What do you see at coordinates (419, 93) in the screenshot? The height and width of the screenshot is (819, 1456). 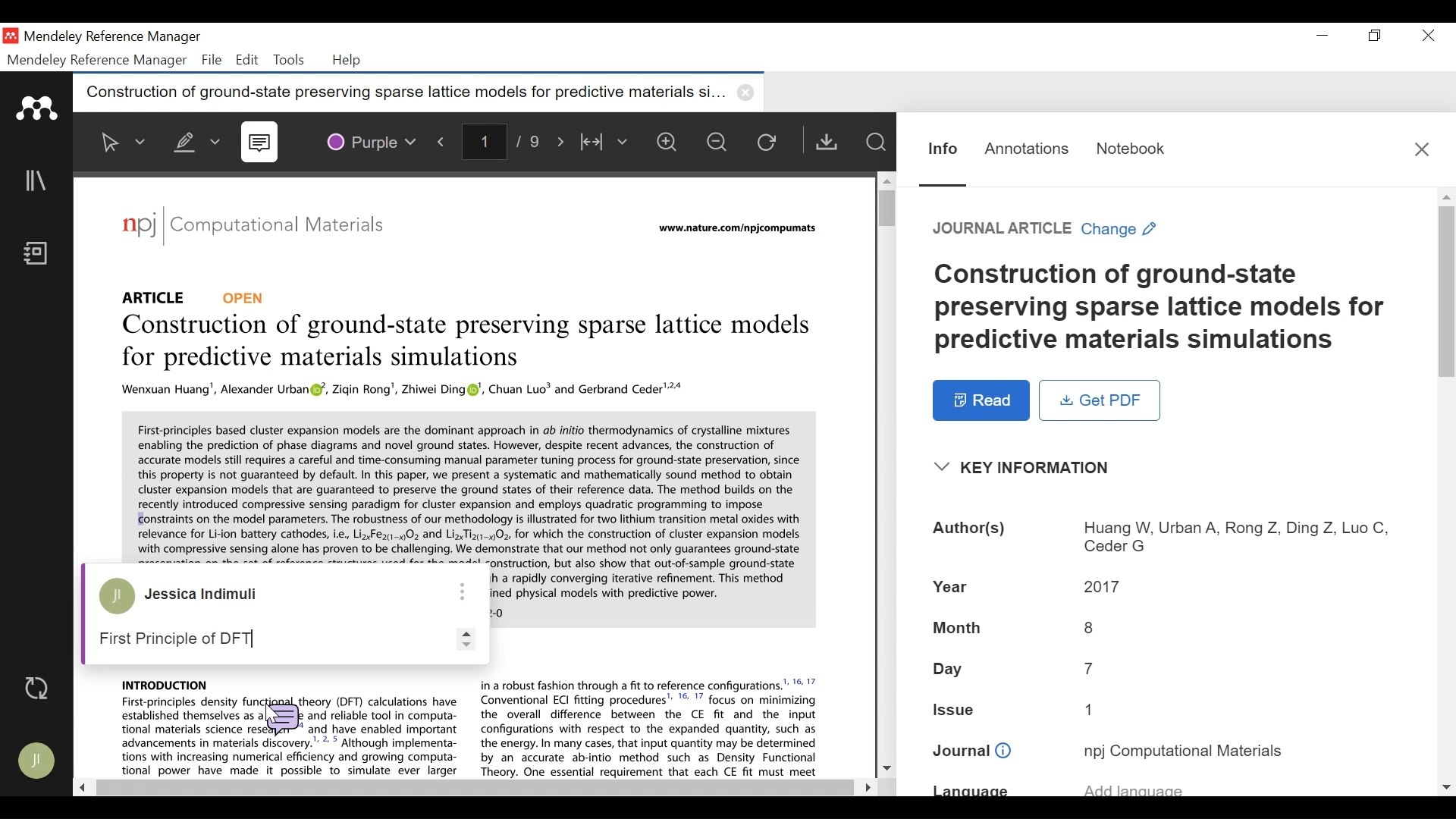 I see `Current Tab` at bounding box center [419, 93].